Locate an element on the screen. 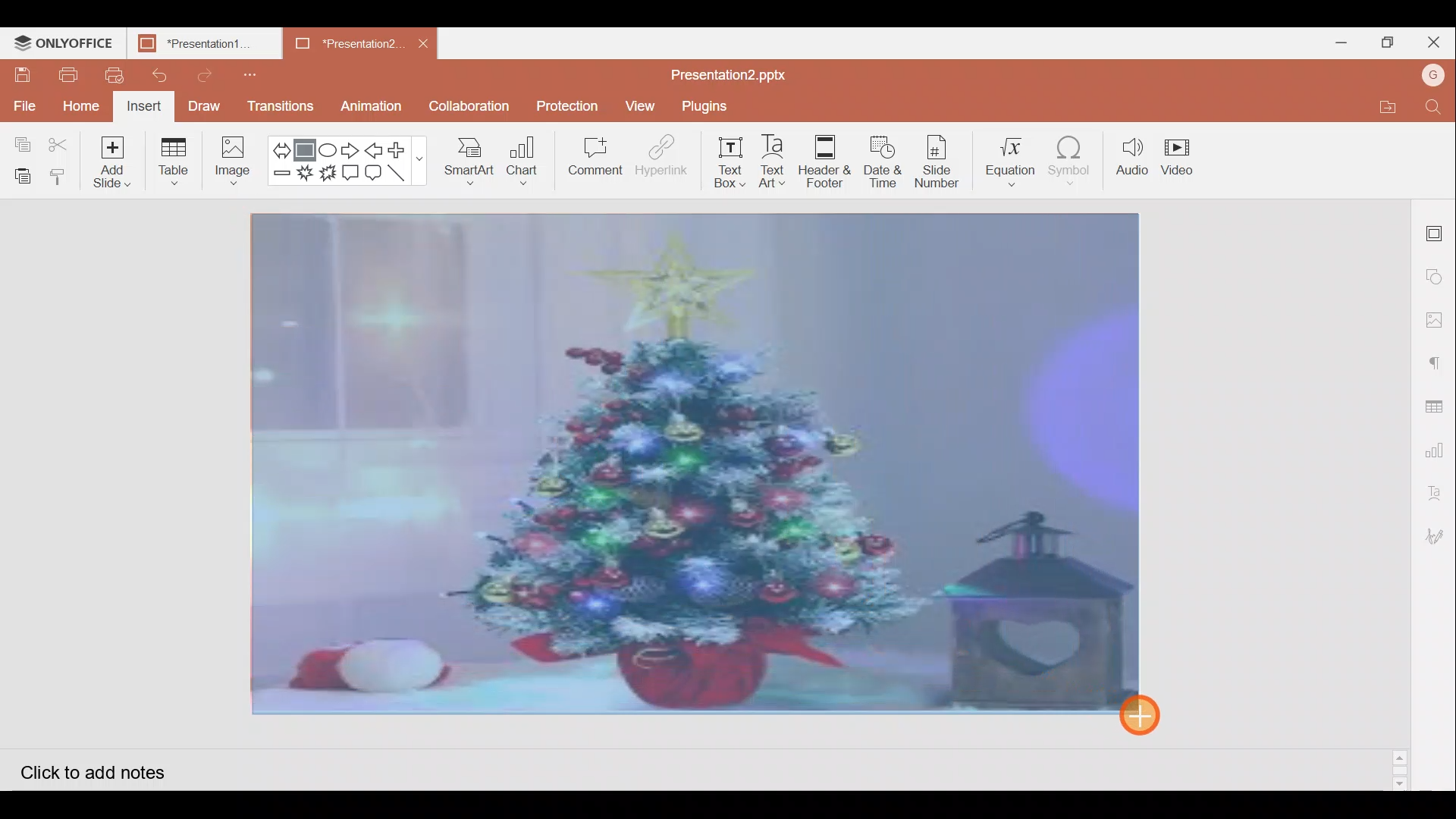 The height and width of the screenshot is (819, 1456). Explosion 1 is located at coordinates (306, 174).